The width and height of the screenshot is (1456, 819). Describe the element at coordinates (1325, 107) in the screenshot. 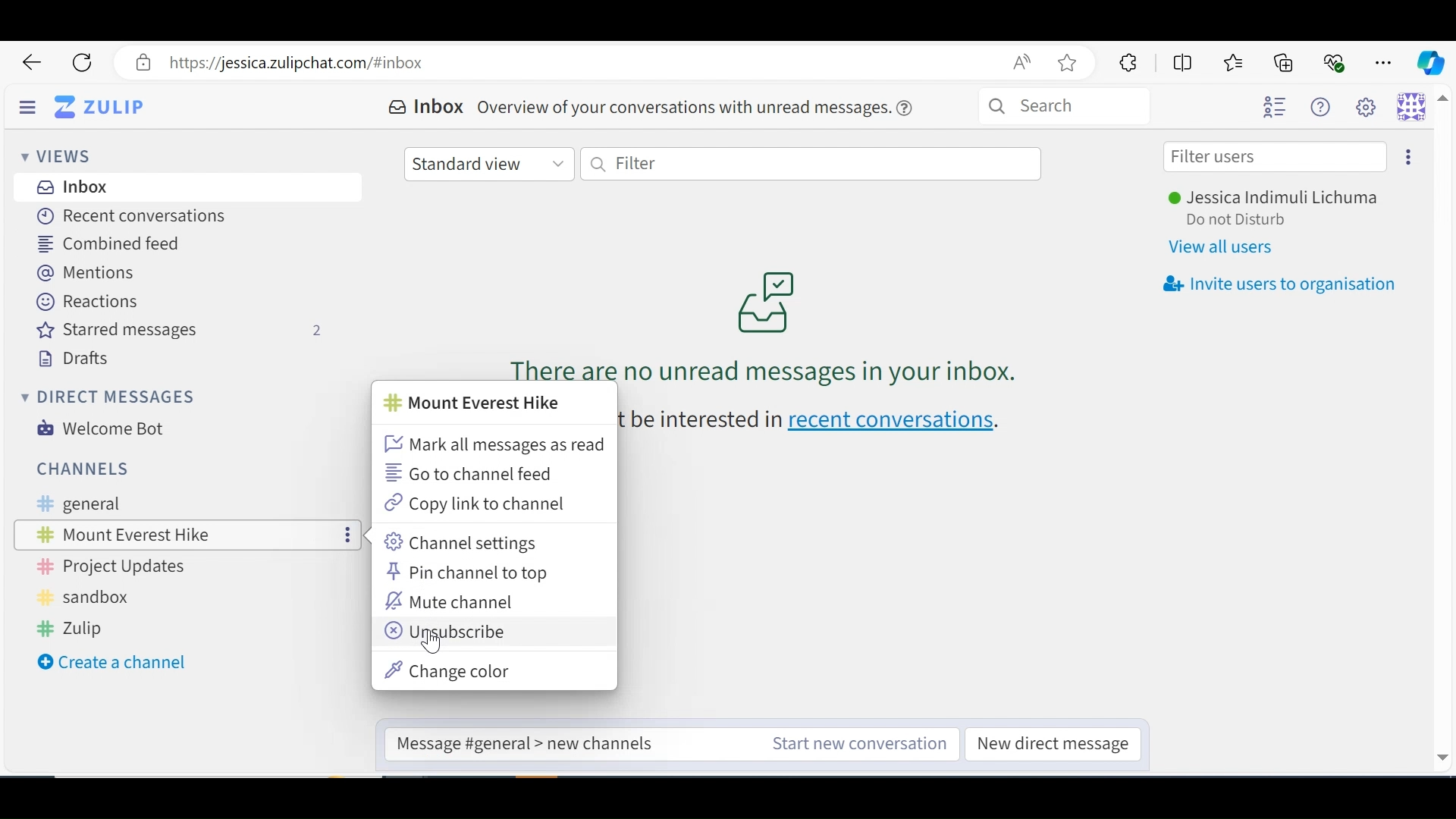

I see `Help menu` at that location.